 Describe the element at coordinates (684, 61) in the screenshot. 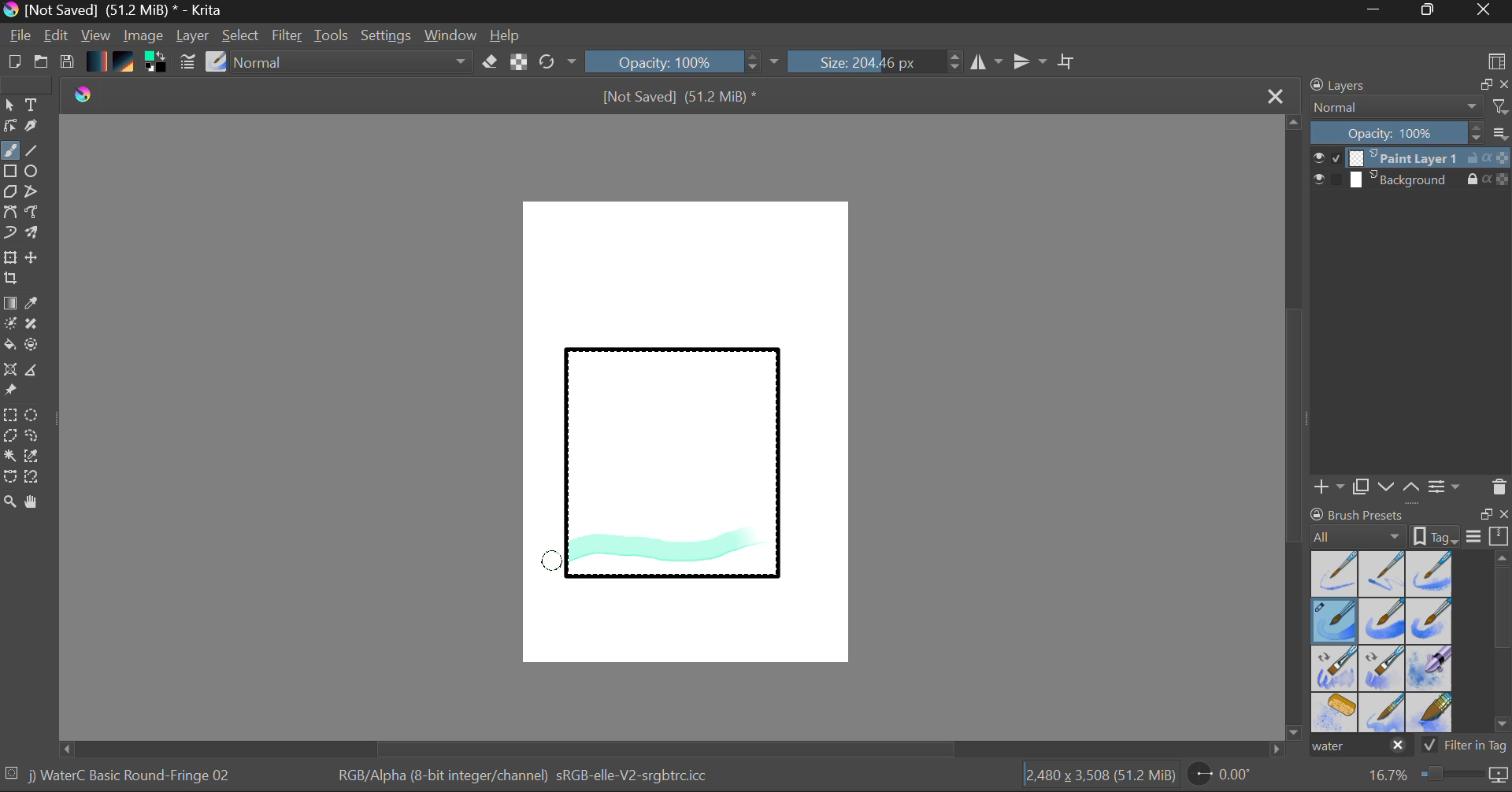

I see `Opacity` at that location.